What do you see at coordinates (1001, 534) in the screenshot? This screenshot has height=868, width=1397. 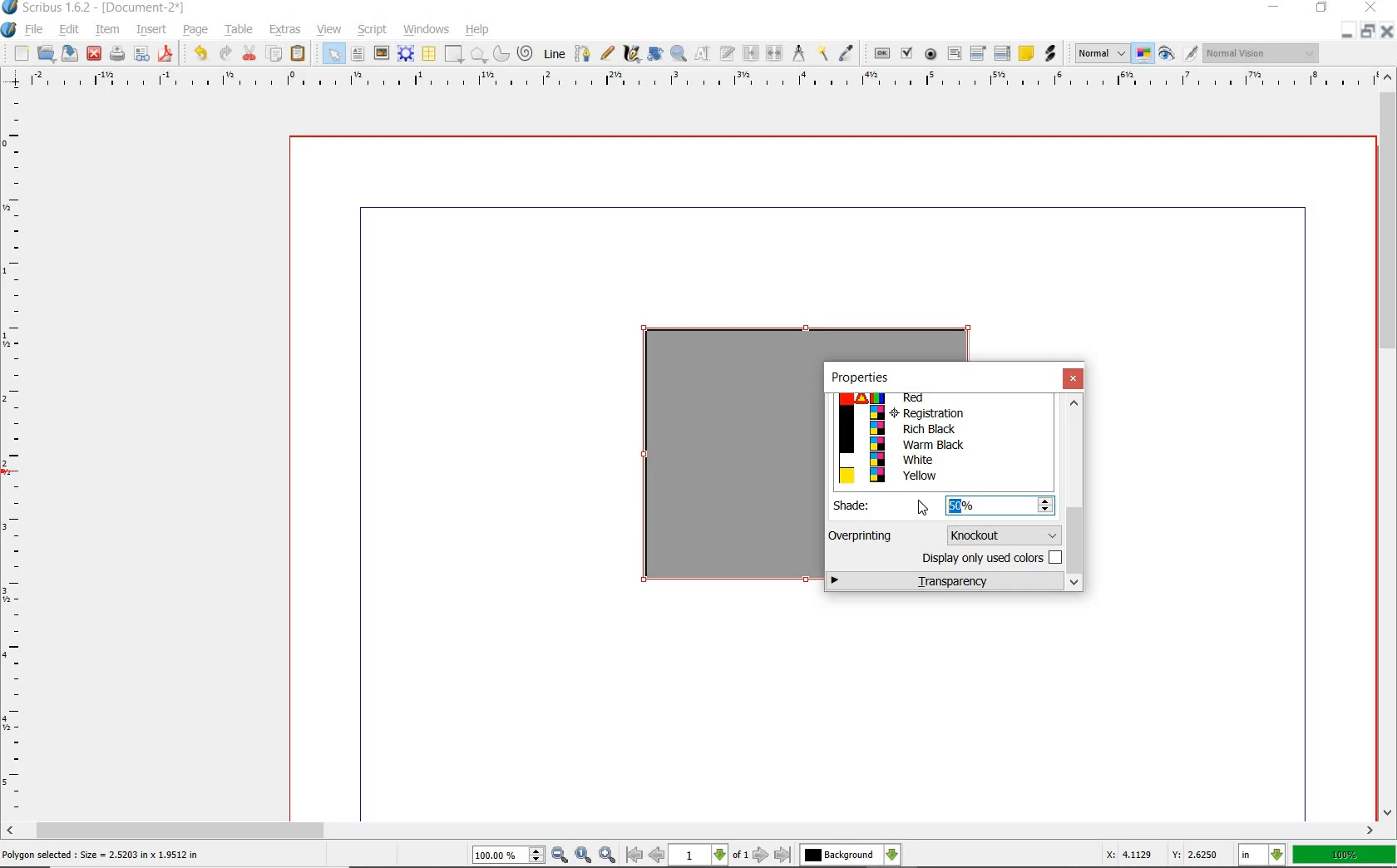 I see `knockout` at bounding box center [1001, 534].